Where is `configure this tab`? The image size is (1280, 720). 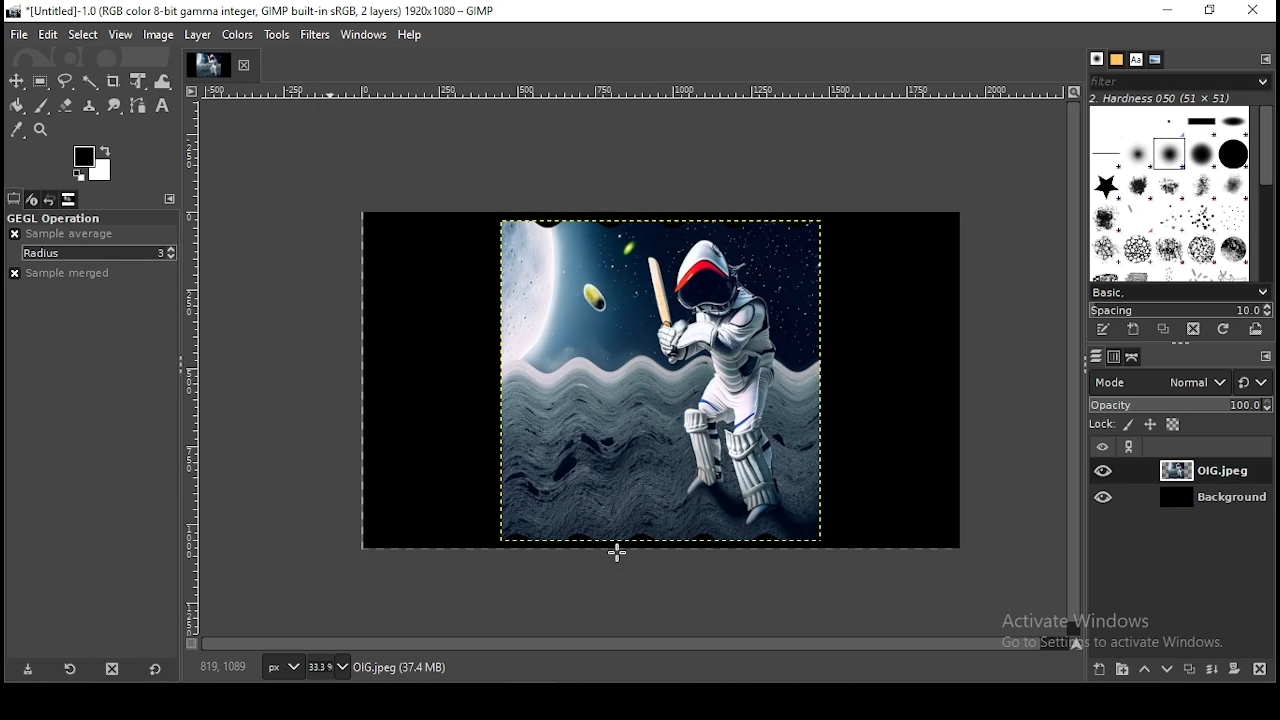 configure this tab is located at coordinates (1266, 354).